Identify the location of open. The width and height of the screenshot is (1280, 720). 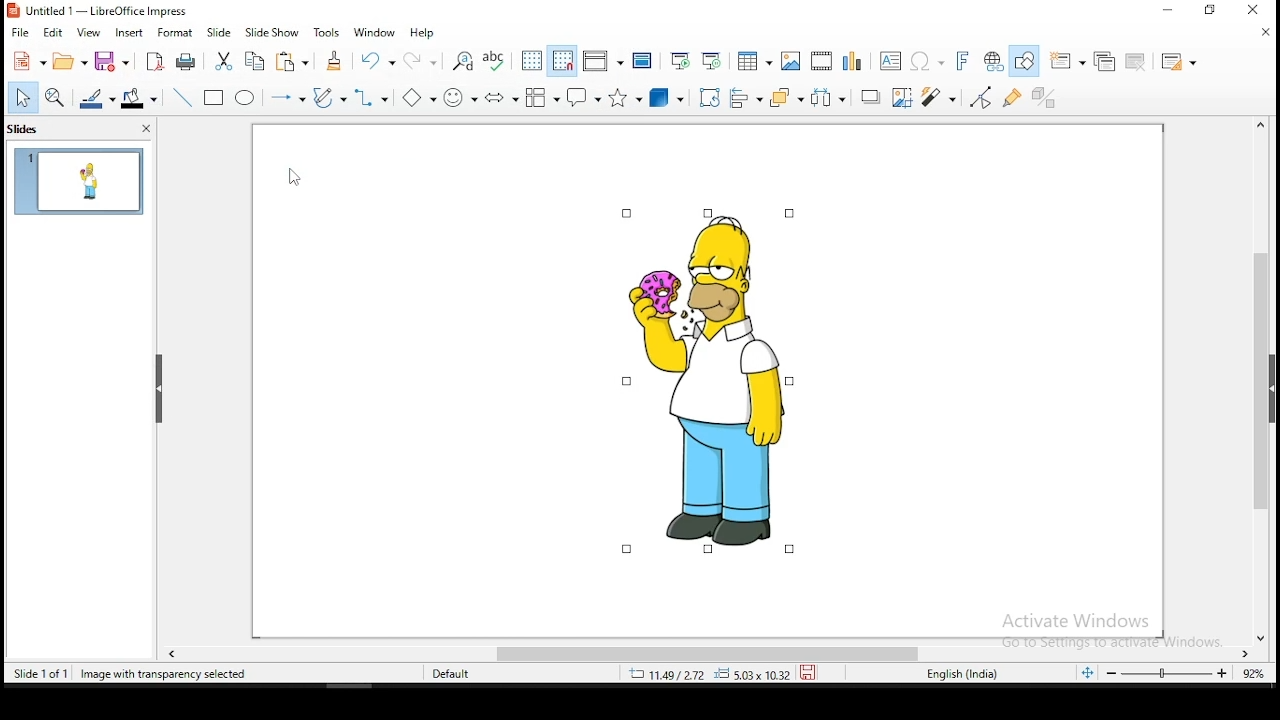
(73, 61).